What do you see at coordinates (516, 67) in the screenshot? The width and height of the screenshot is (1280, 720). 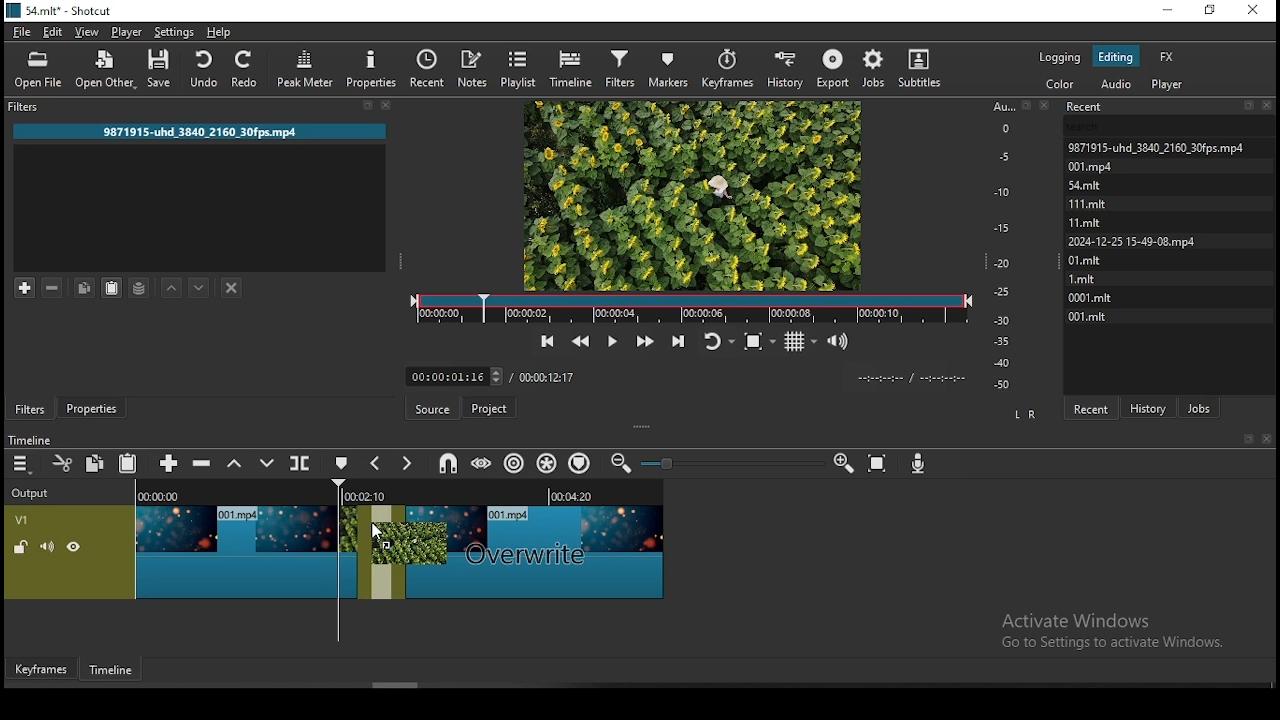 I see `playlist` at bounding box center [516, 67].